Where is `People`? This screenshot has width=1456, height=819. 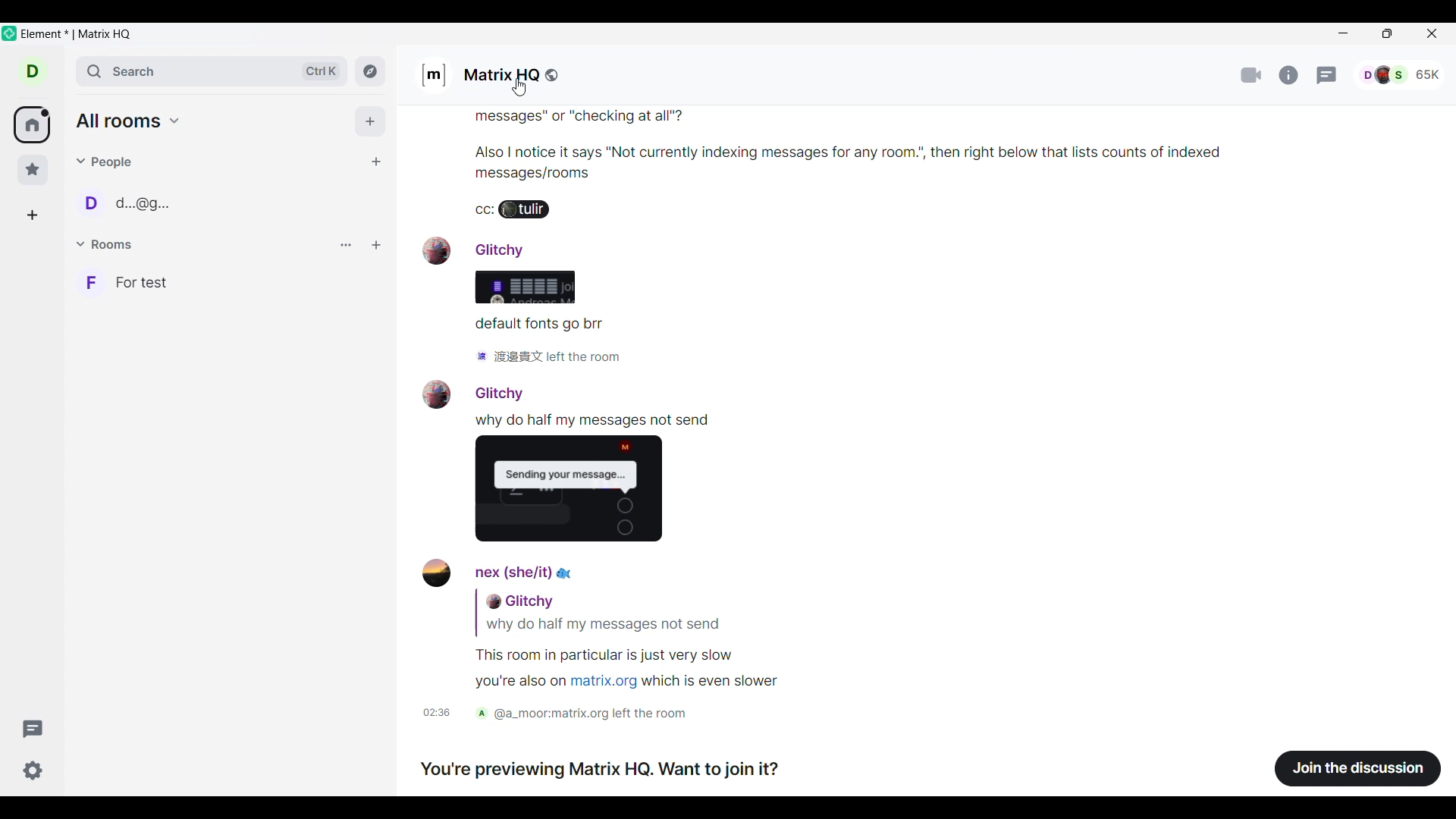 People is located at coordinates (105, 162).